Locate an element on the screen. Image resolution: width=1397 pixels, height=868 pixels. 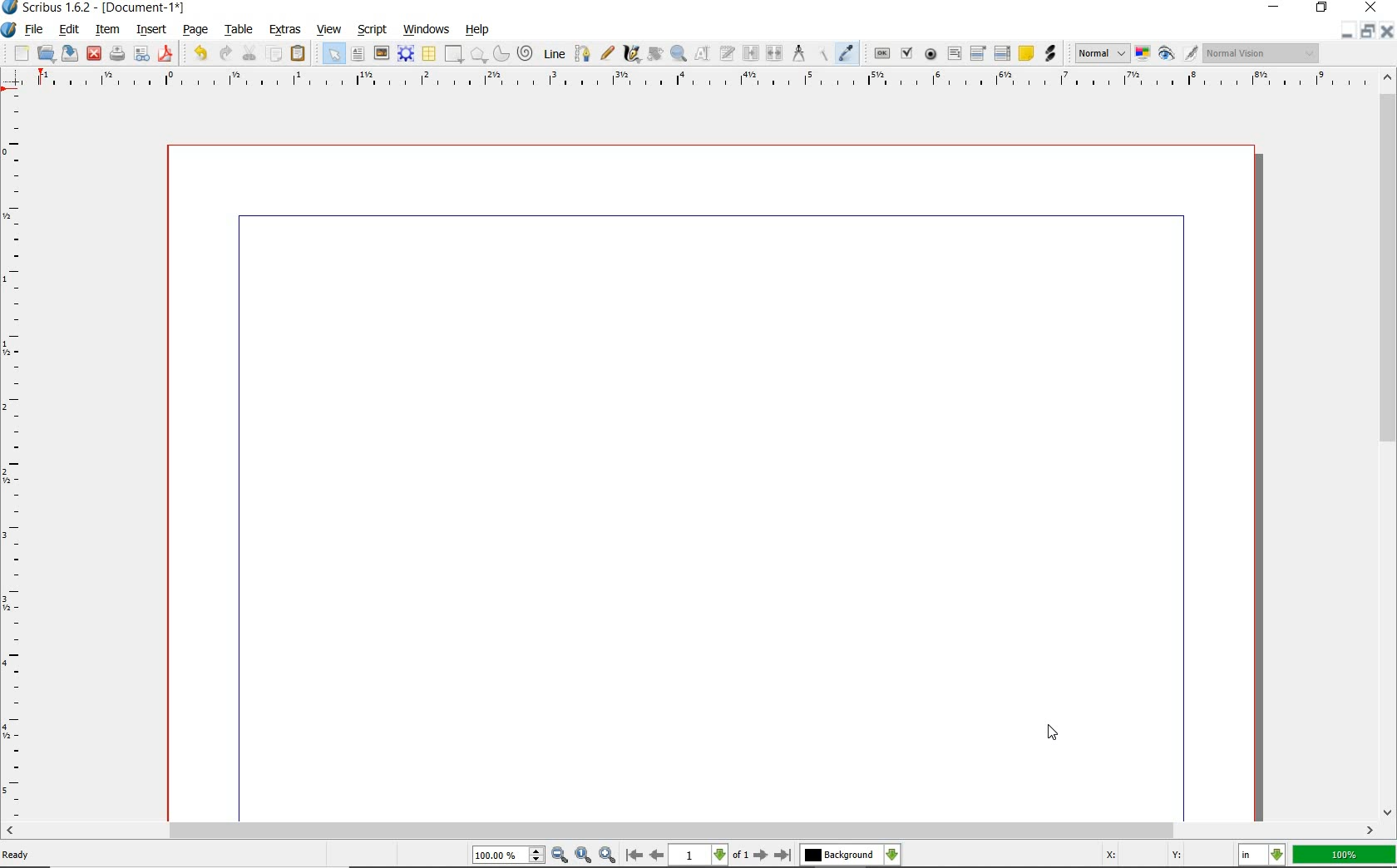
restore is located at coordinates (1345, 32).